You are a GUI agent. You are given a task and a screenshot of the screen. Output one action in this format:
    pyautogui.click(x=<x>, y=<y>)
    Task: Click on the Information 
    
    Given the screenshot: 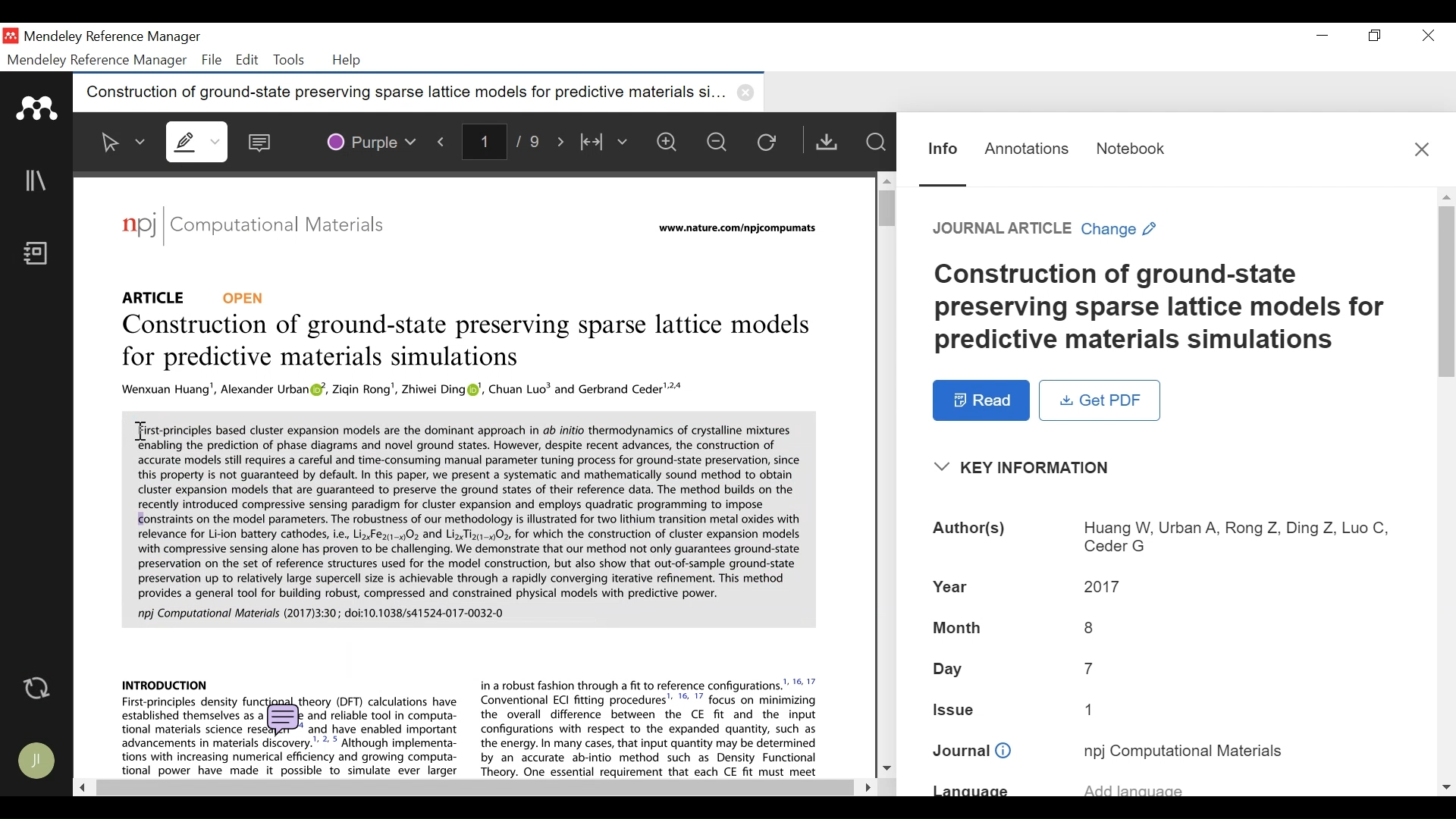 What is the action you would take?
    pyautogui.click(x=943, y=149)
    